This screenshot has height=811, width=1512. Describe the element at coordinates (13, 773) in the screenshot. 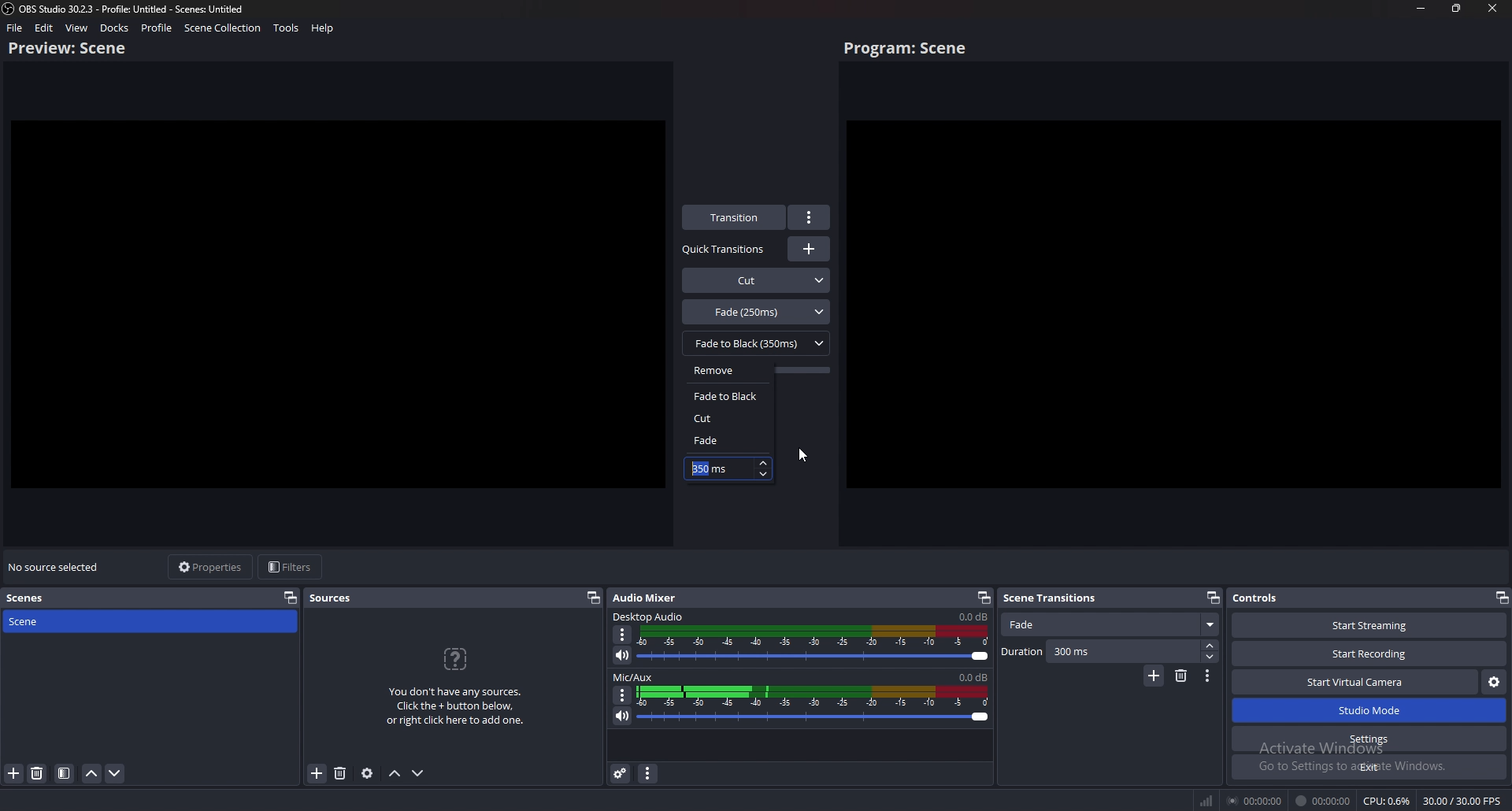

I see `add scene` at that location.